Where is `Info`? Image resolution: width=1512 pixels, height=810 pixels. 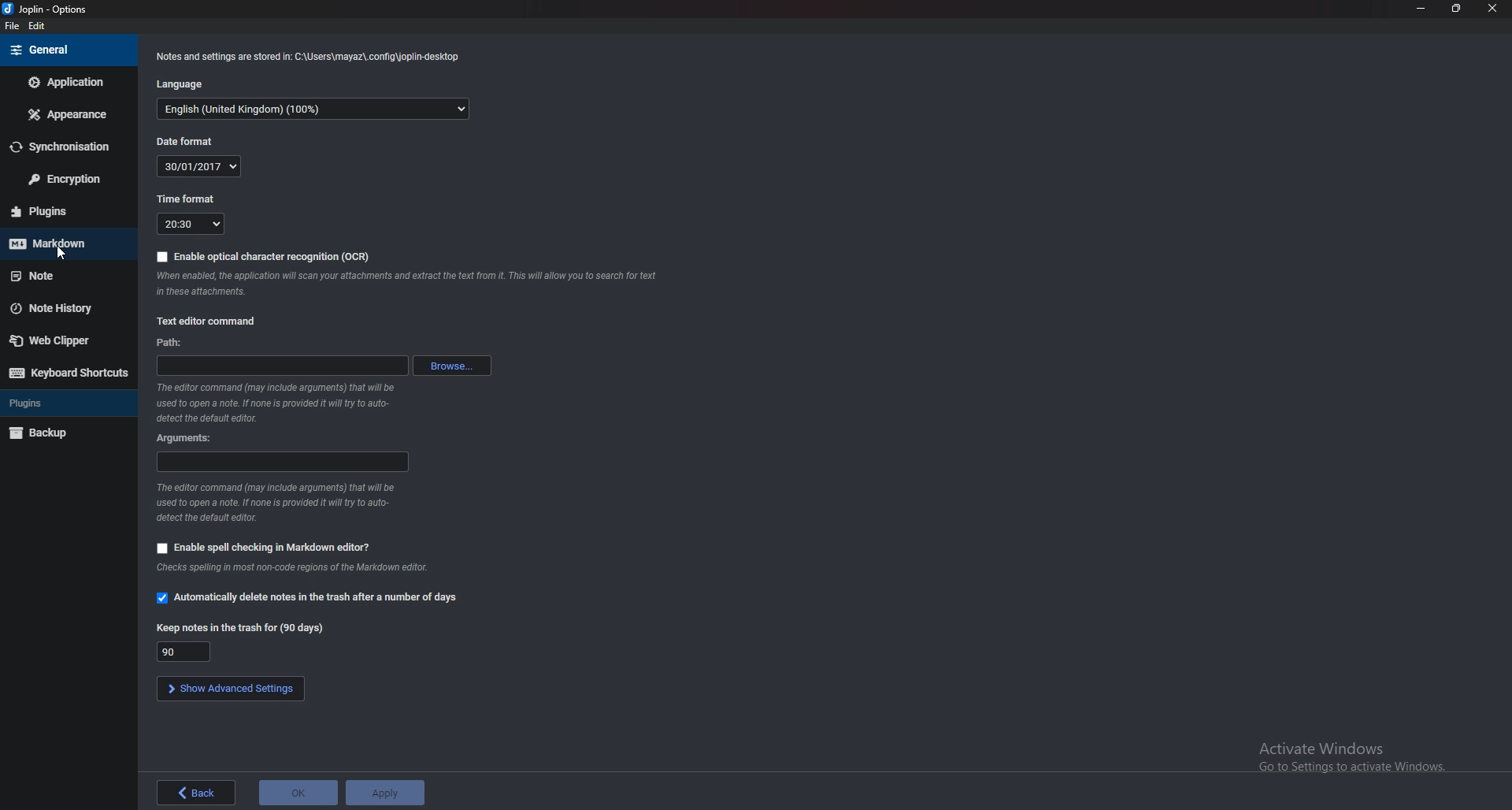
Info is located at coordinates (311, 56).